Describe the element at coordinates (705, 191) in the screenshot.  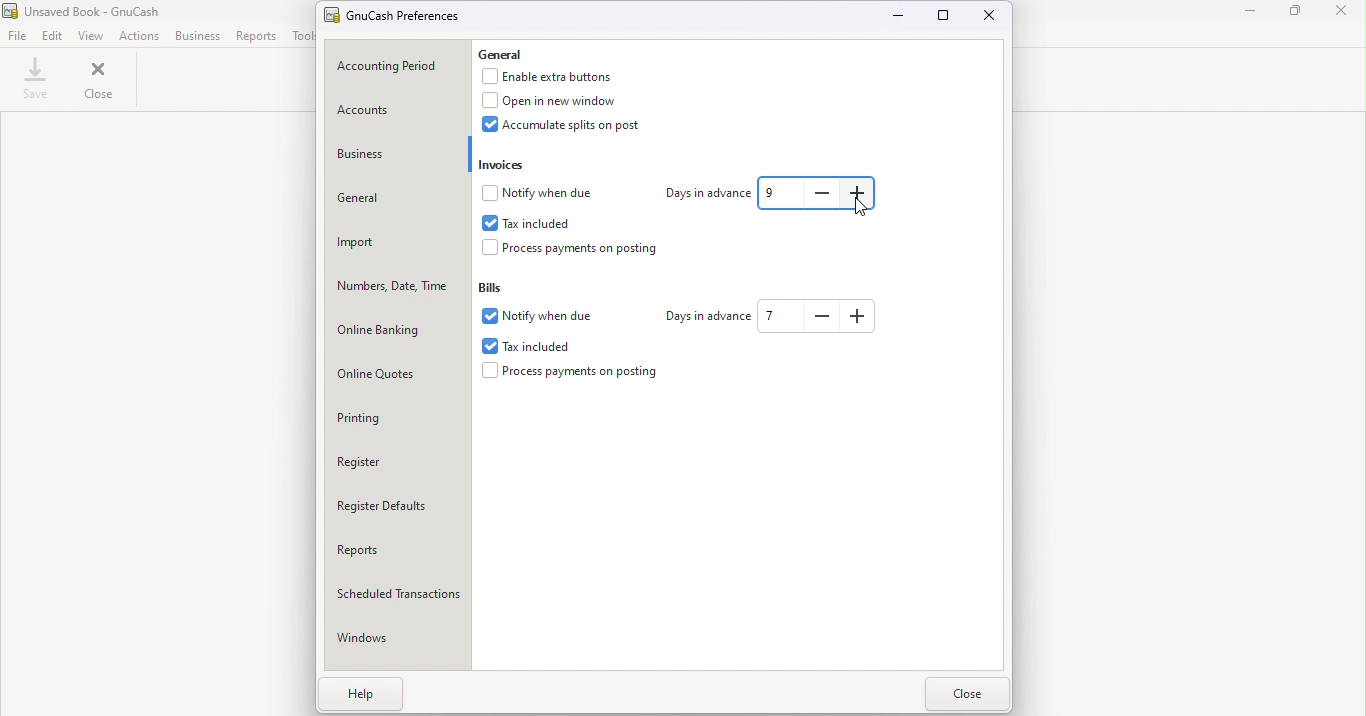
I see `Days in advance` at that location.